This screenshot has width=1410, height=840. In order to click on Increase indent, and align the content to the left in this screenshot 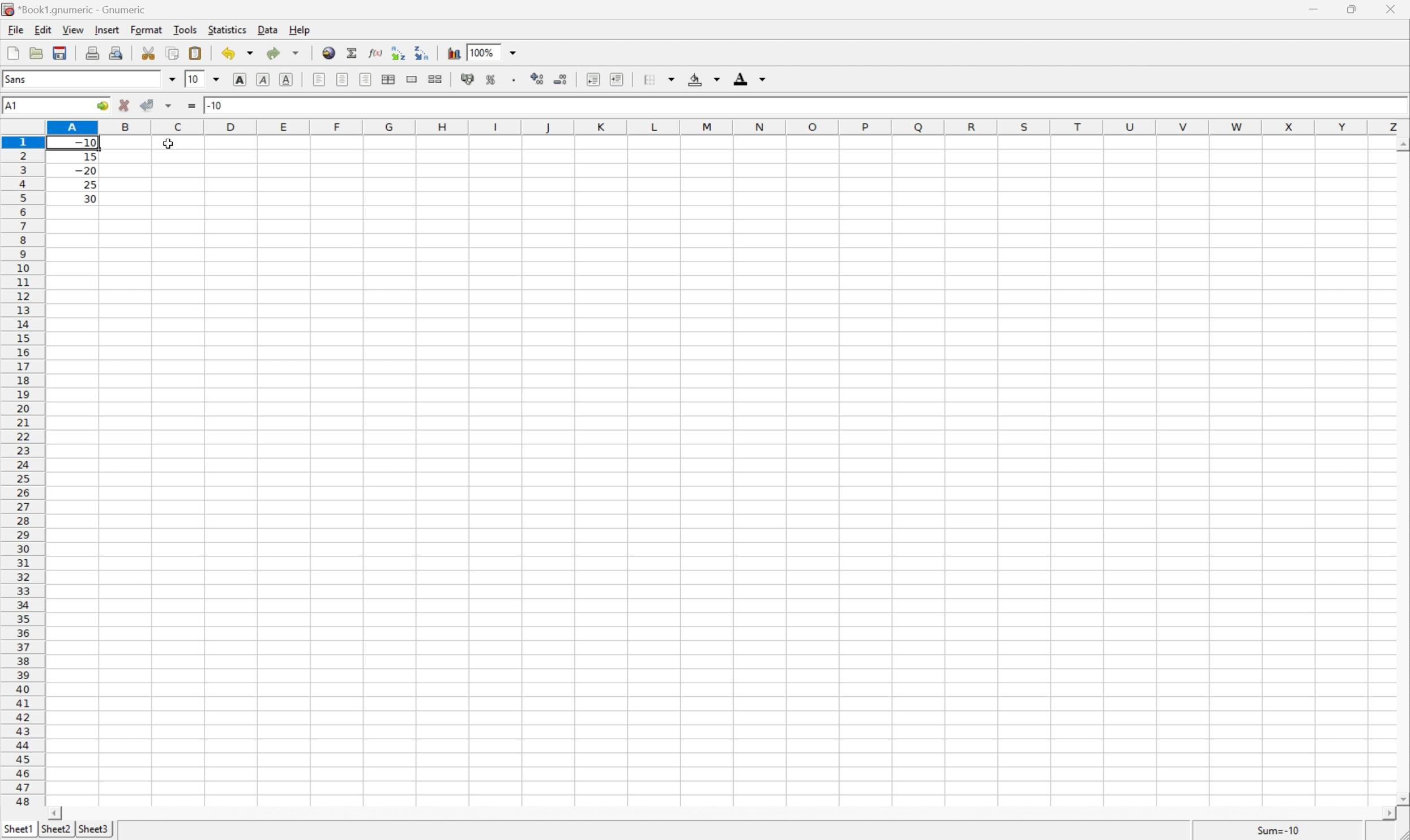, I will do `click(615, 79)`.